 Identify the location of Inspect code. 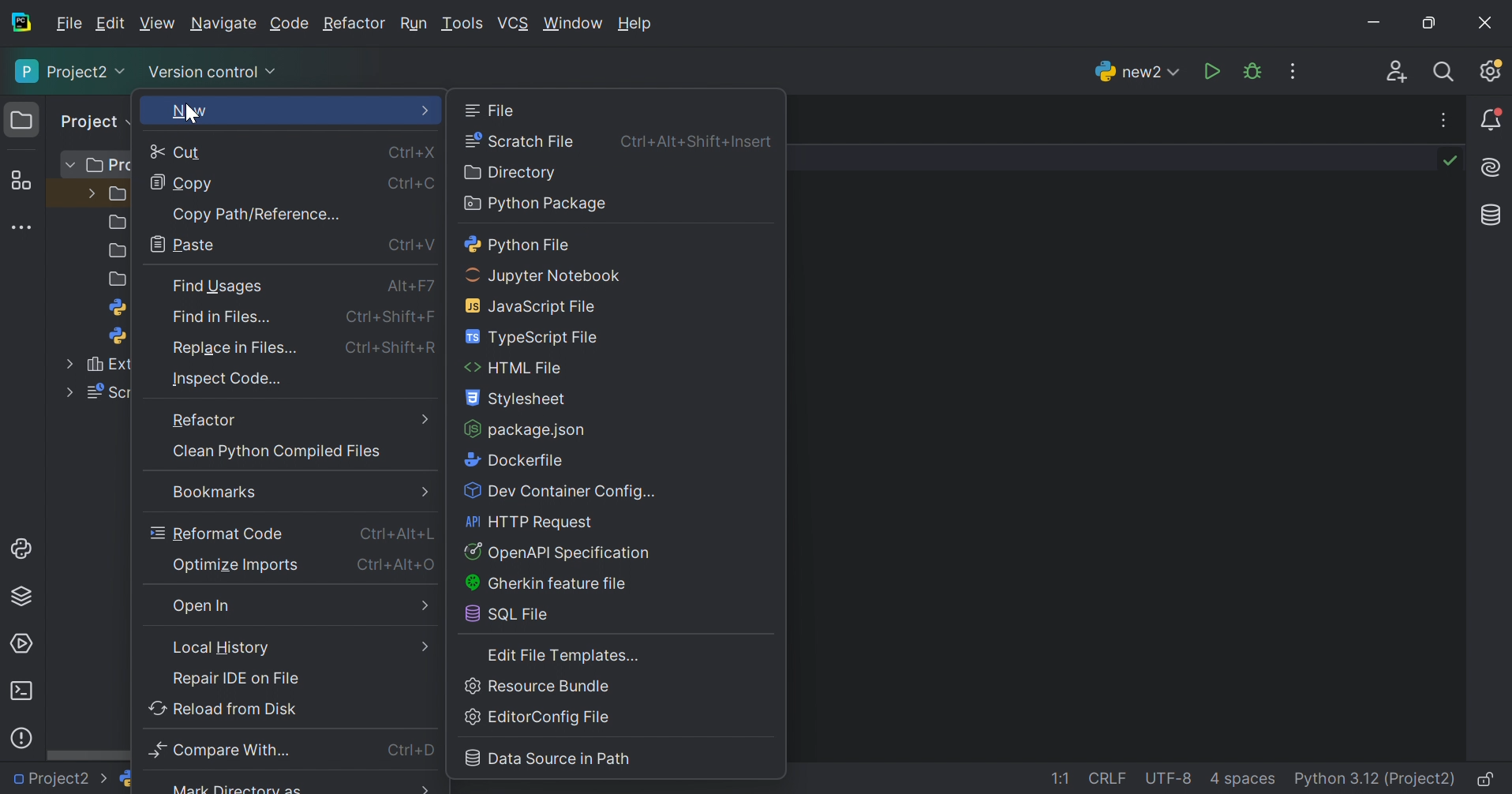
(229, 379).